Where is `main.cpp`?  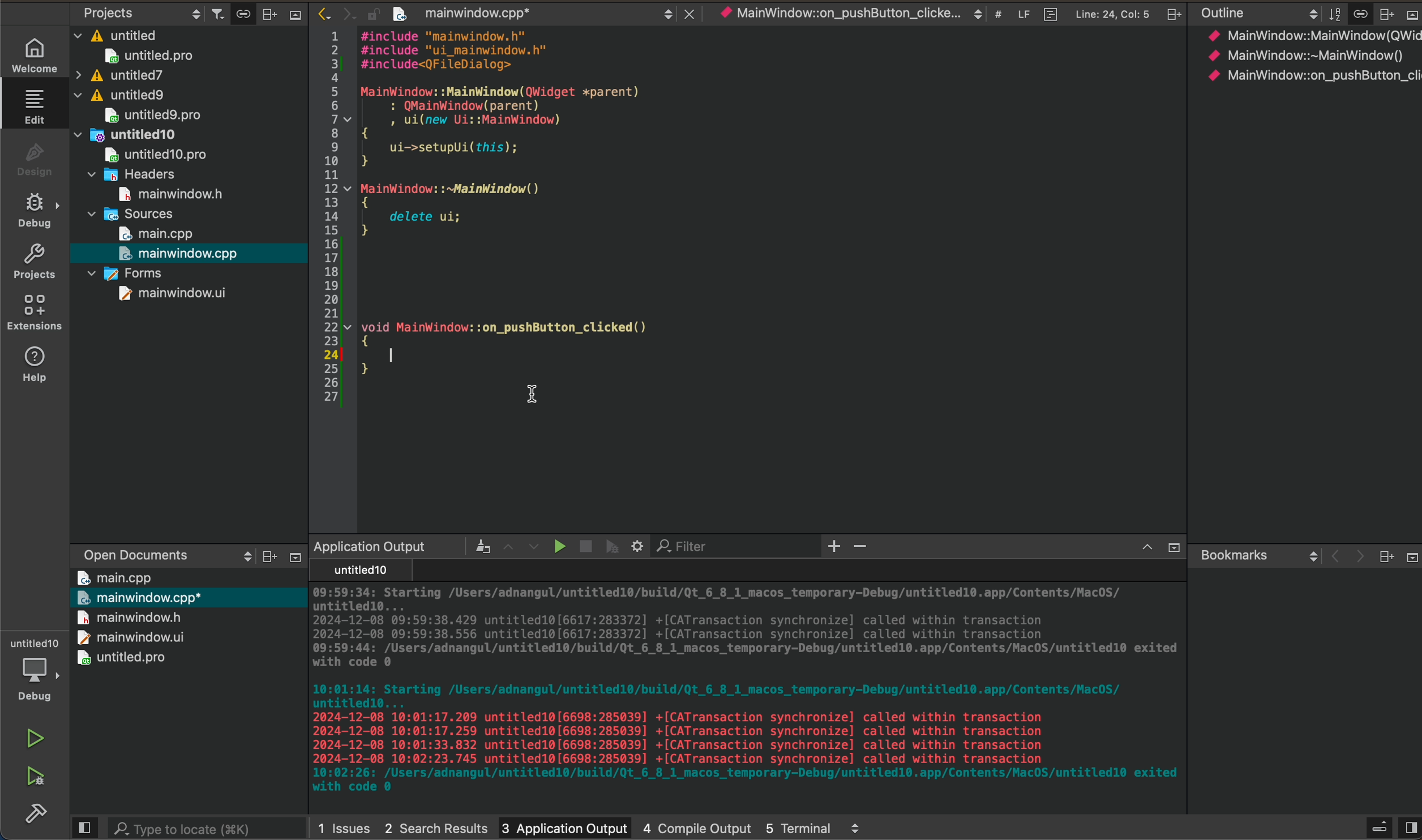
main.cpp is located at coordinates (115, 577).